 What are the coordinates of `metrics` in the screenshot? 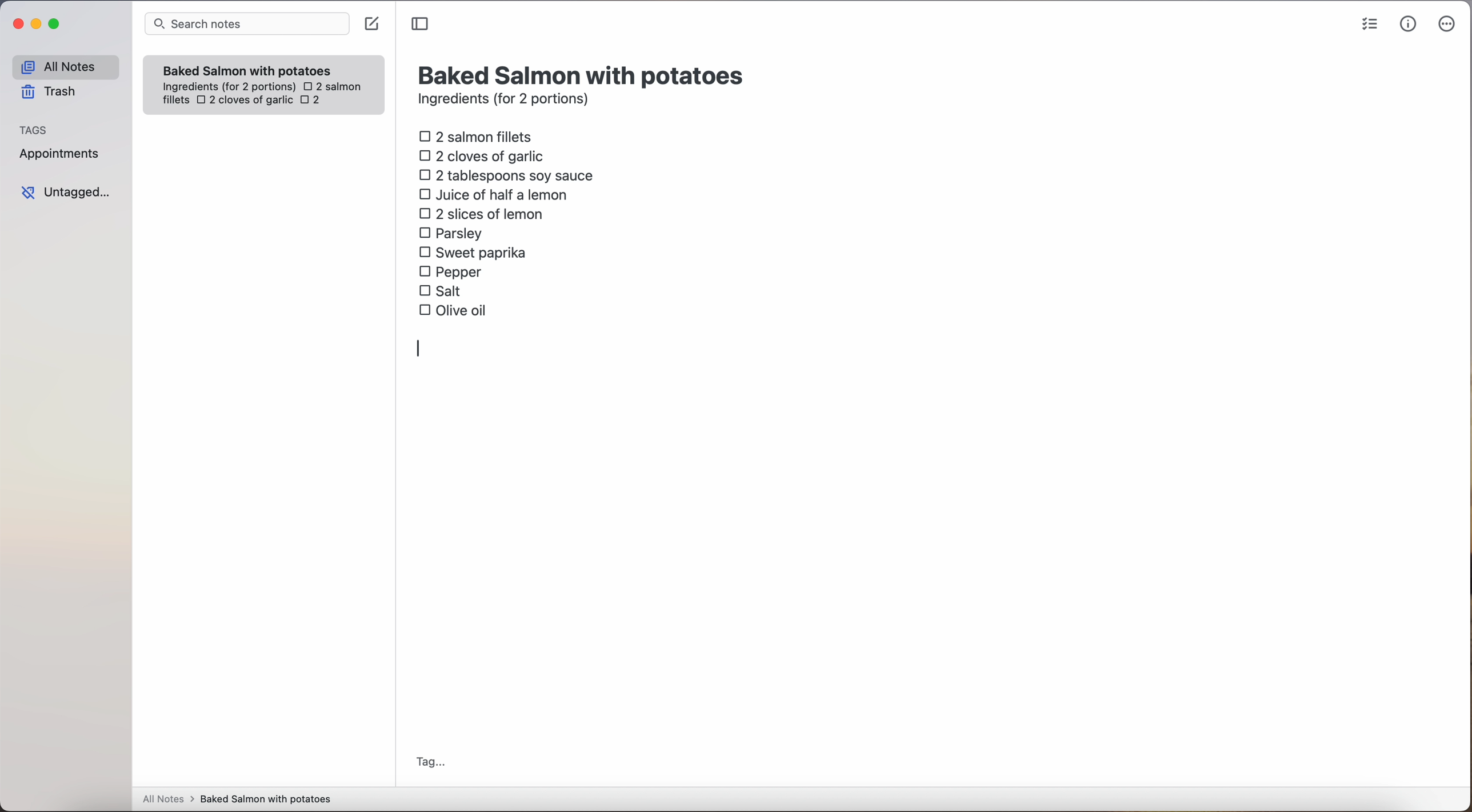 It's located at (1409, 23).